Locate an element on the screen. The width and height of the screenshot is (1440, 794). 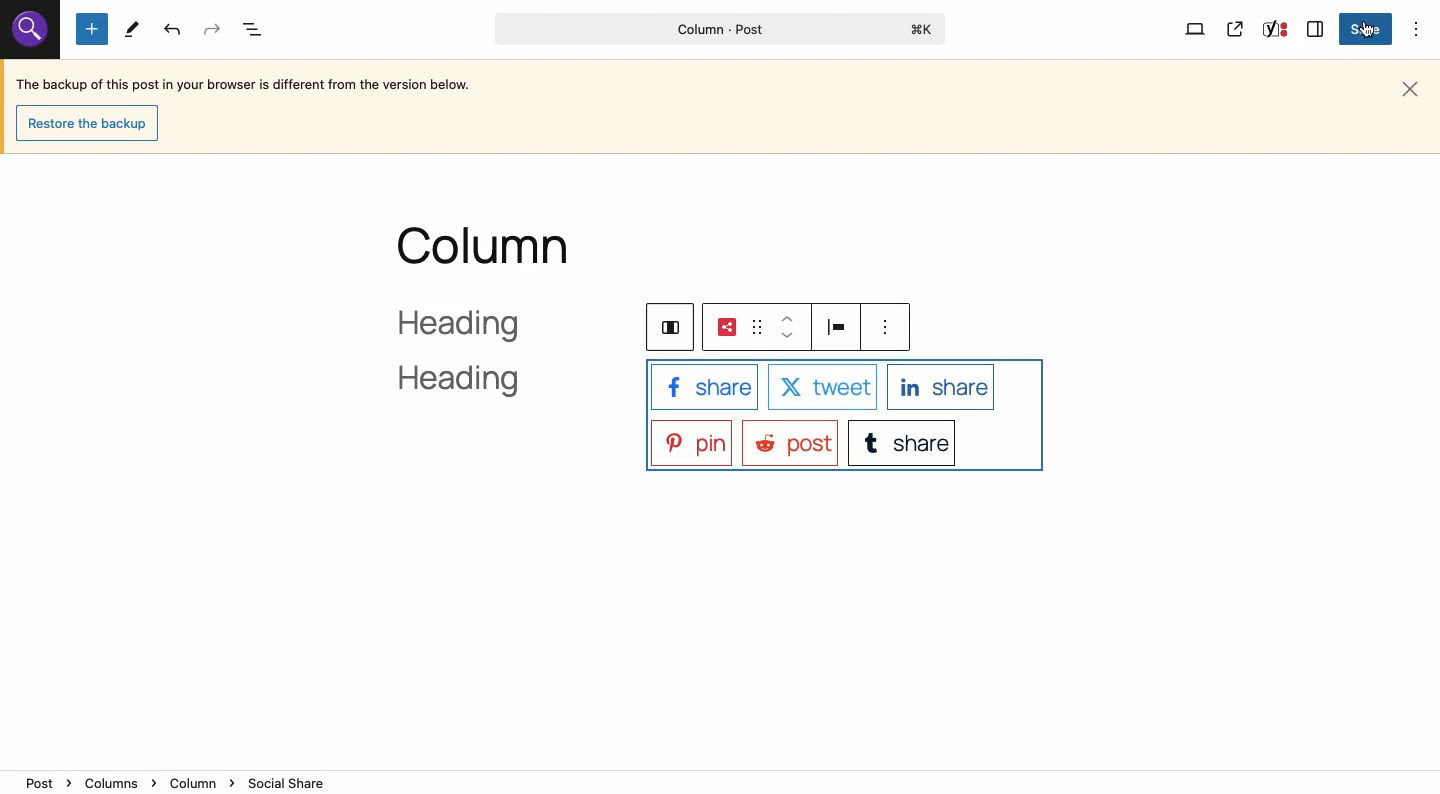
Move up down is located at coordinates (788, 327).